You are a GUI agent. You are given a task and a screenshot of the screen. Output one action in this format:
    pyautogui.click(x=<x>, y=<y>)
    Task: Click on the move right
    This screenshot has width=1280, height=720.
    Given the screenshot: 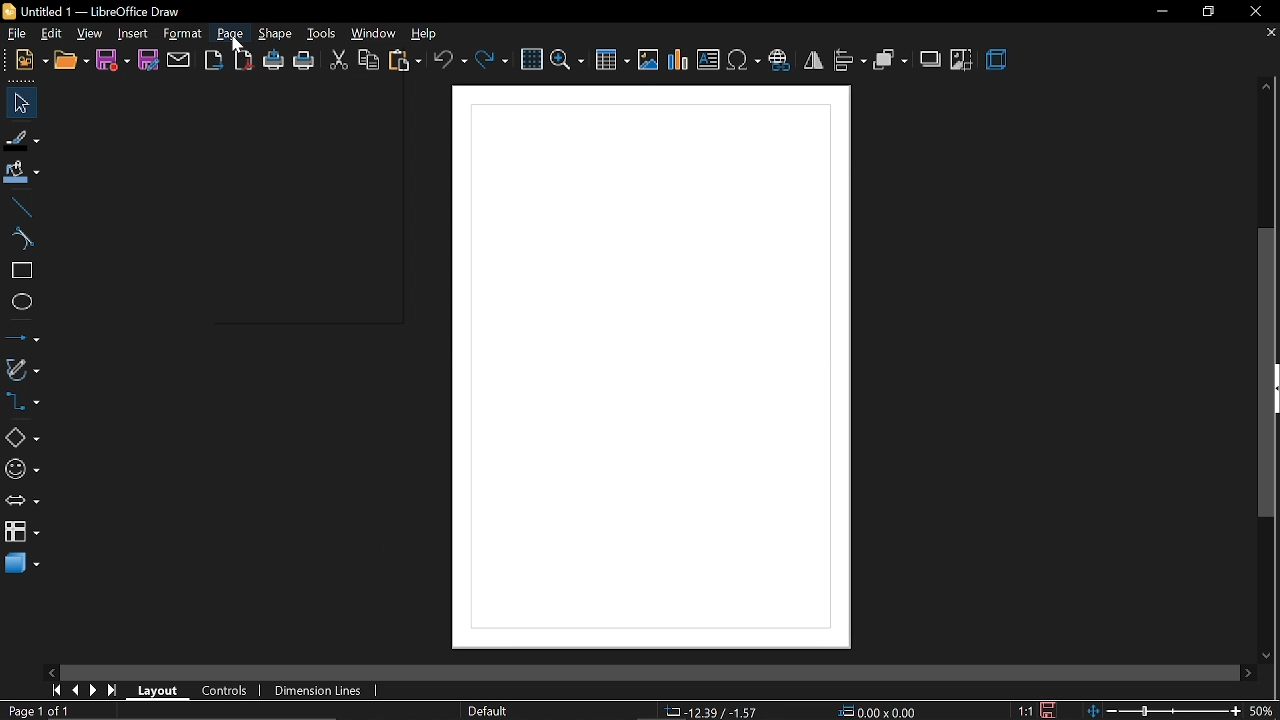 What is the action you would take?
    pyautogui.click(x=1246, y=671)
    